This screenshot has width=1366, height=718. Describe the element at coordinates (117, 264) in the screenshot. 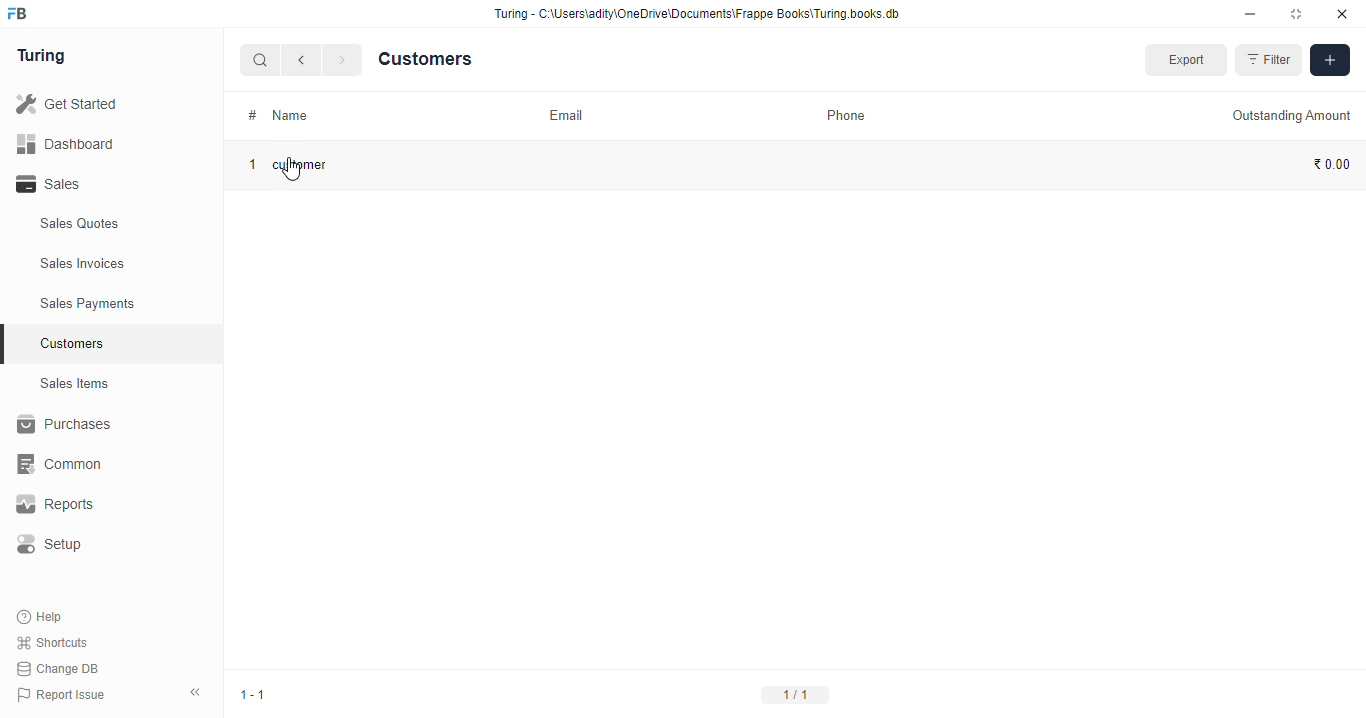

I see `Sales Invoices` at that location.